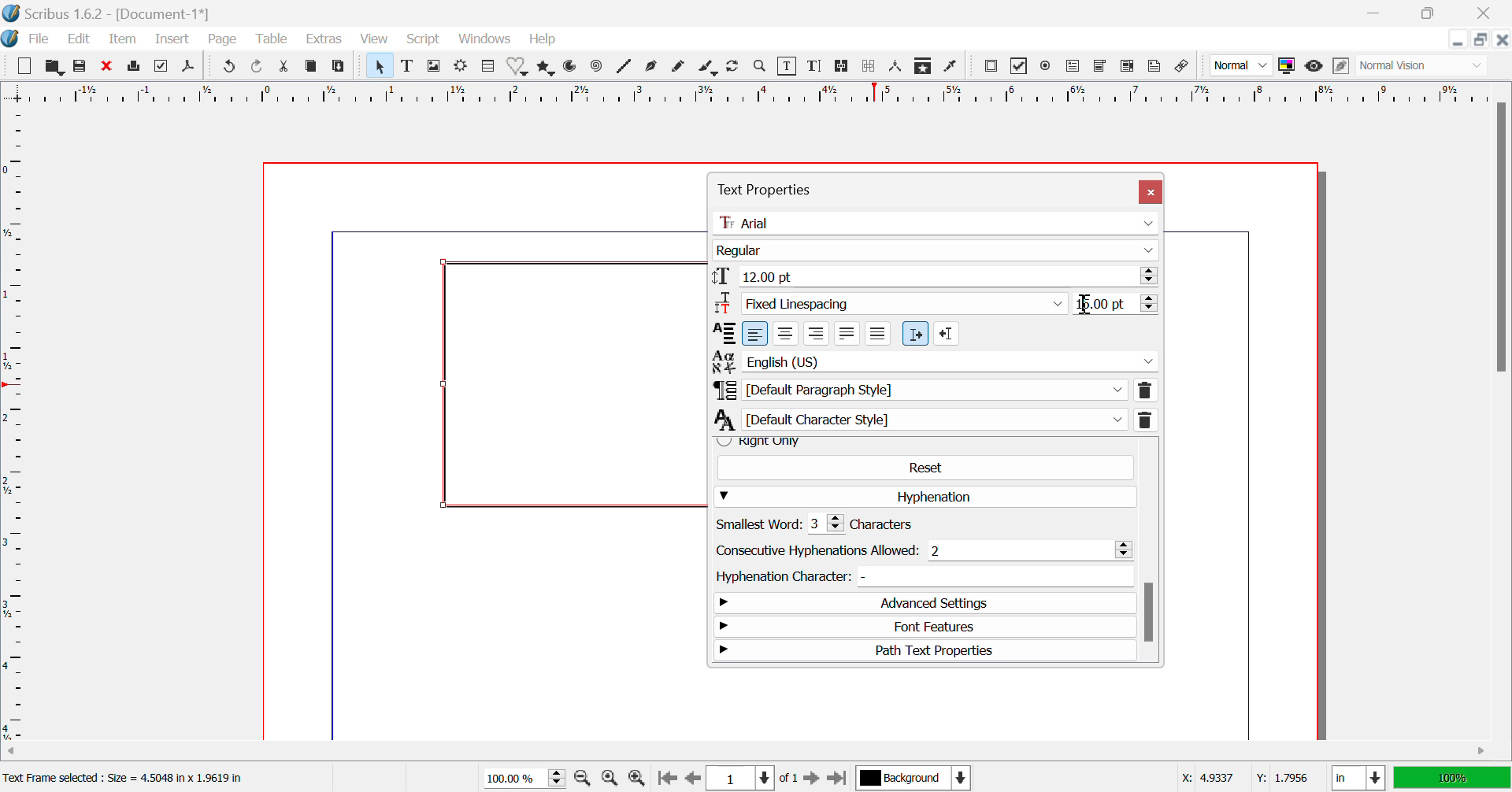 The height and width of the screenshot is (792, 1512). Describe the element at coordinates (1074, 68) in the screenshot. I see `Pdf Text Field` at that location.